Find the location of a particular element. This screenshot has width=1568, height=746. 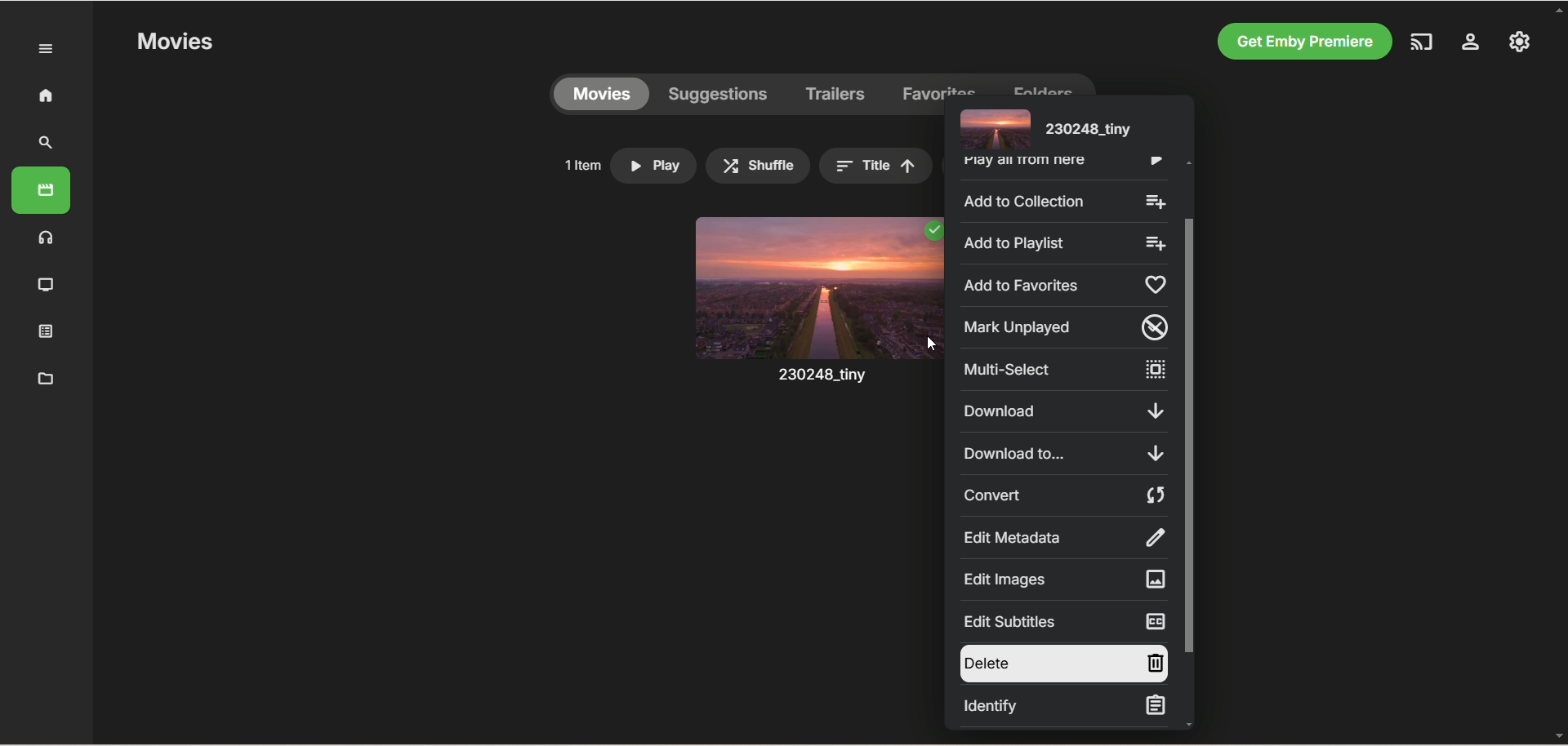

movies is located at coordinates (601, 95).